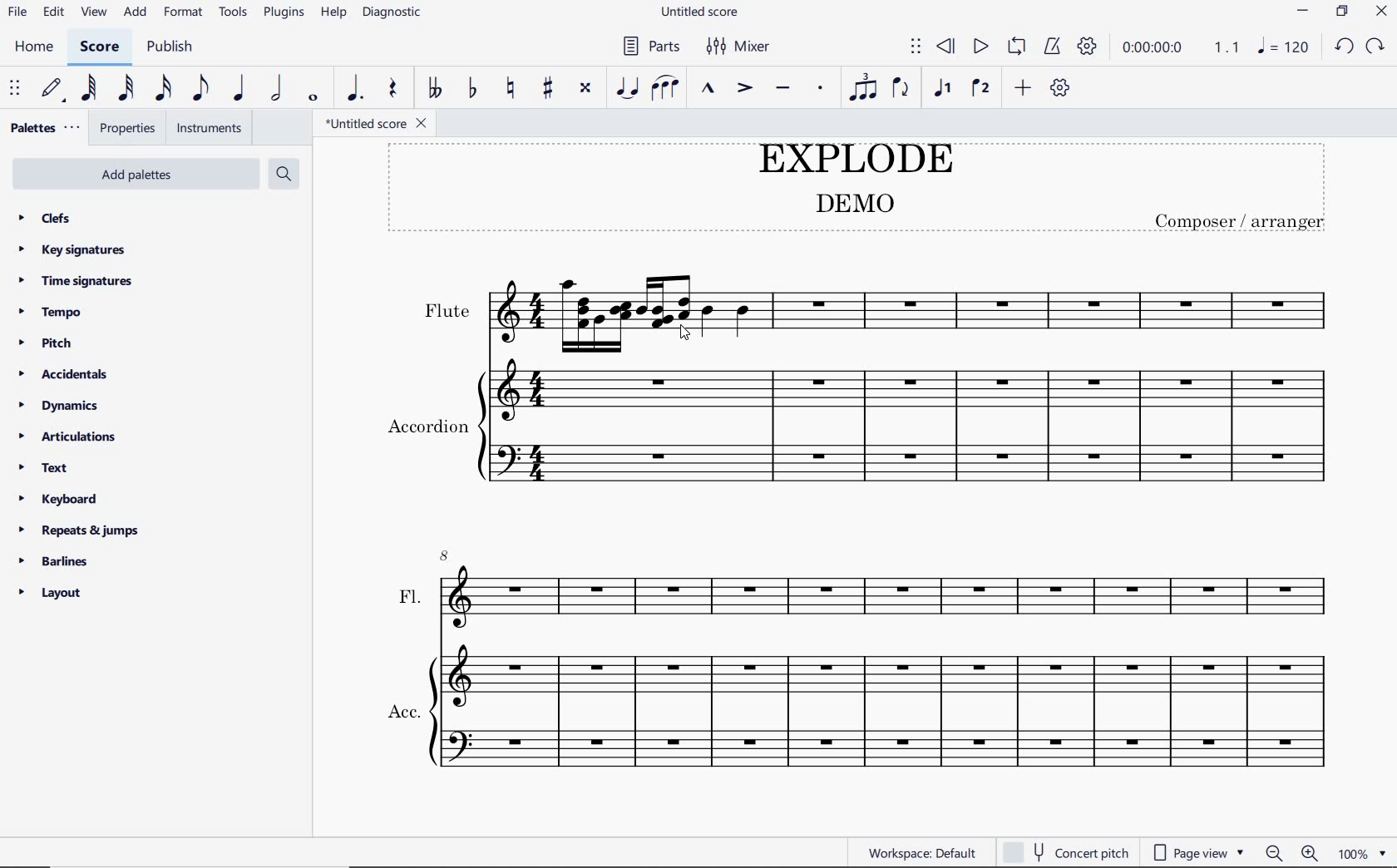 The width and height of the screenshot is (1397, 868). What do you see at coordinates (45, 217) in the screenshot?
I see `clefs` at bounding box center [45, 217].